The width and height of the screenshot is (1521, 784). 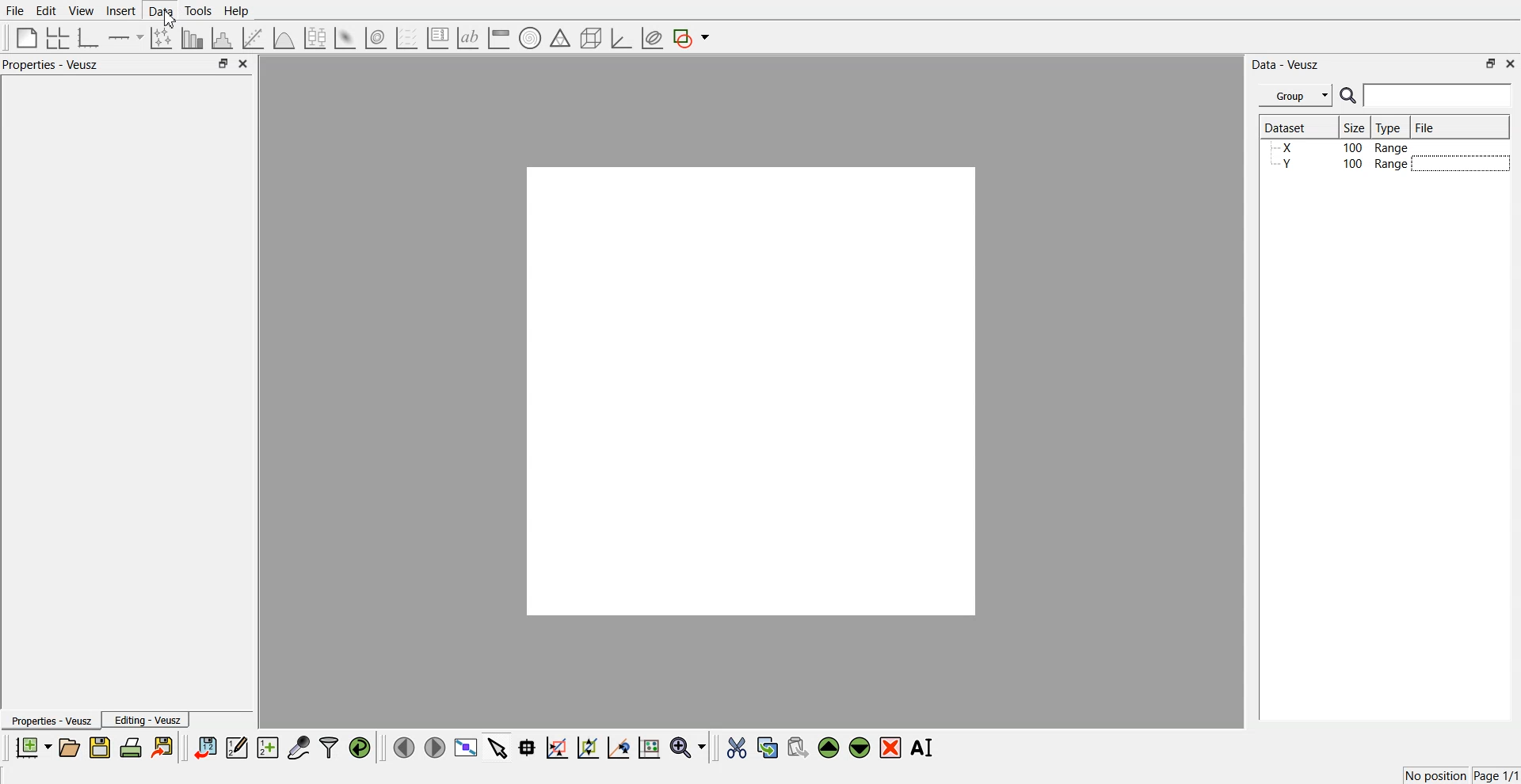 I want to click on Properties - Veusz, so click(x=50, y=720).